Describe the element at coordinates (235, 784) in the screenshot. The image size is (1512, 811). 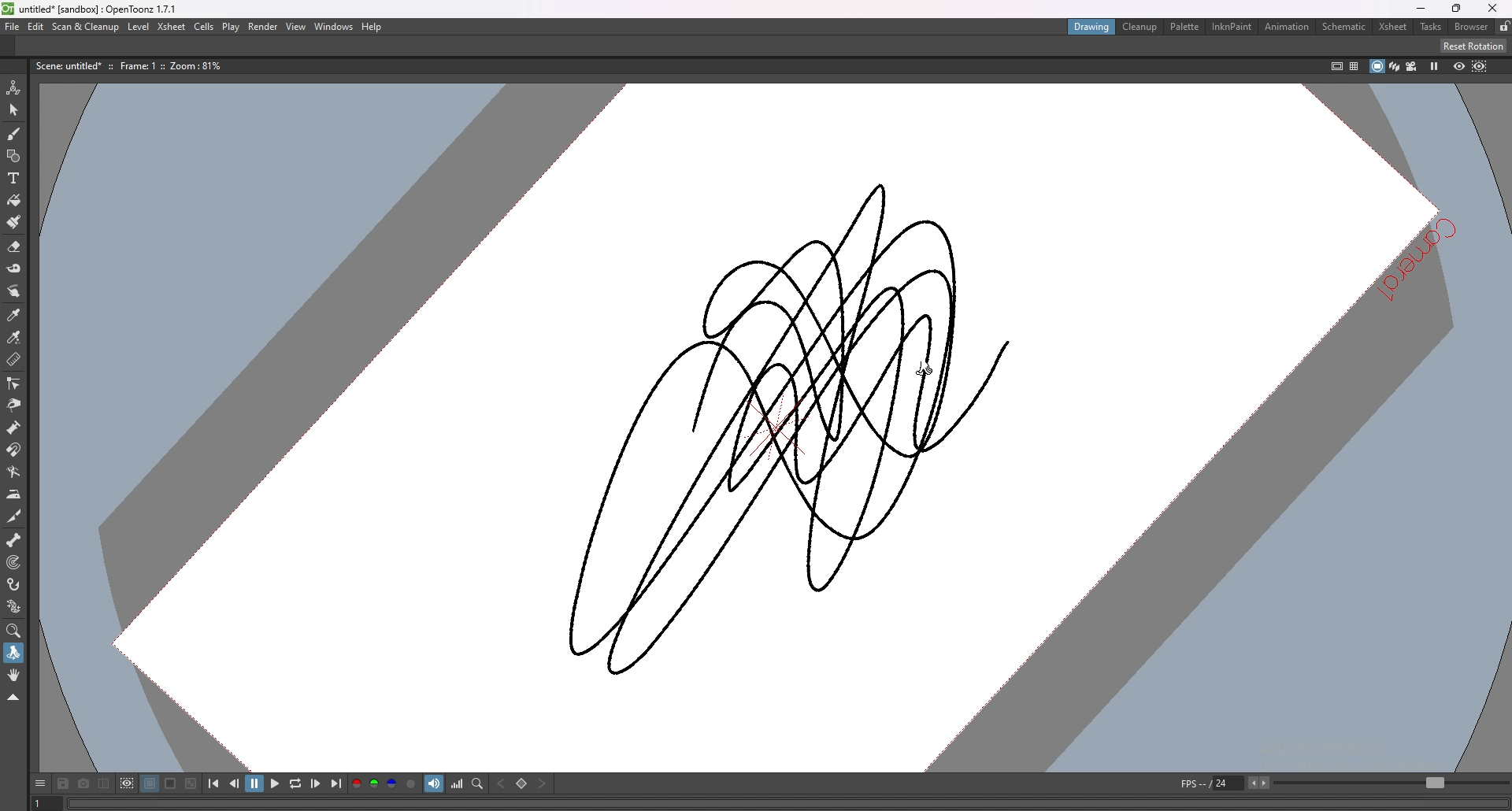
I see `previous frame` at that location.